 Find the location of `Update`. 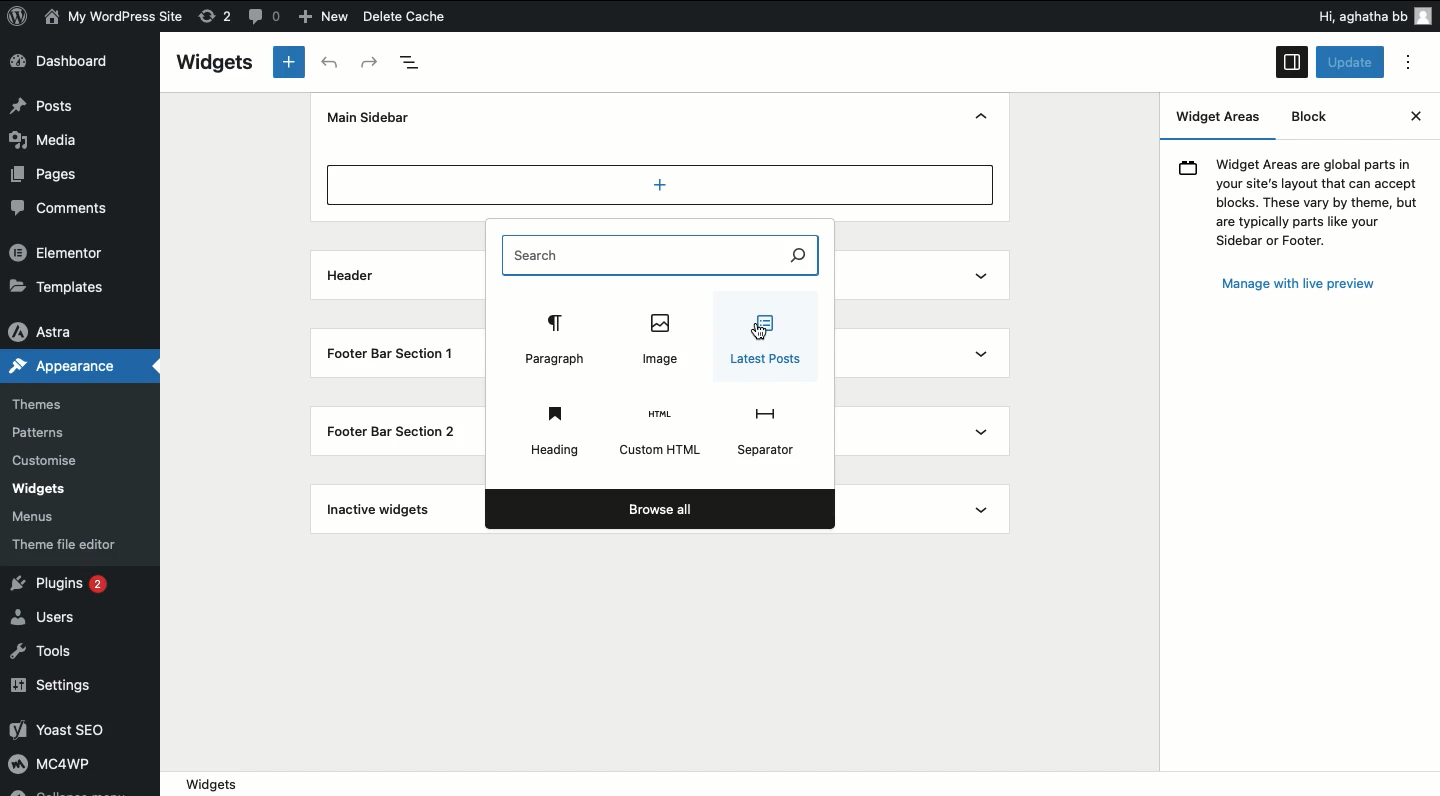

Update is located at coordinates (1349, 63).